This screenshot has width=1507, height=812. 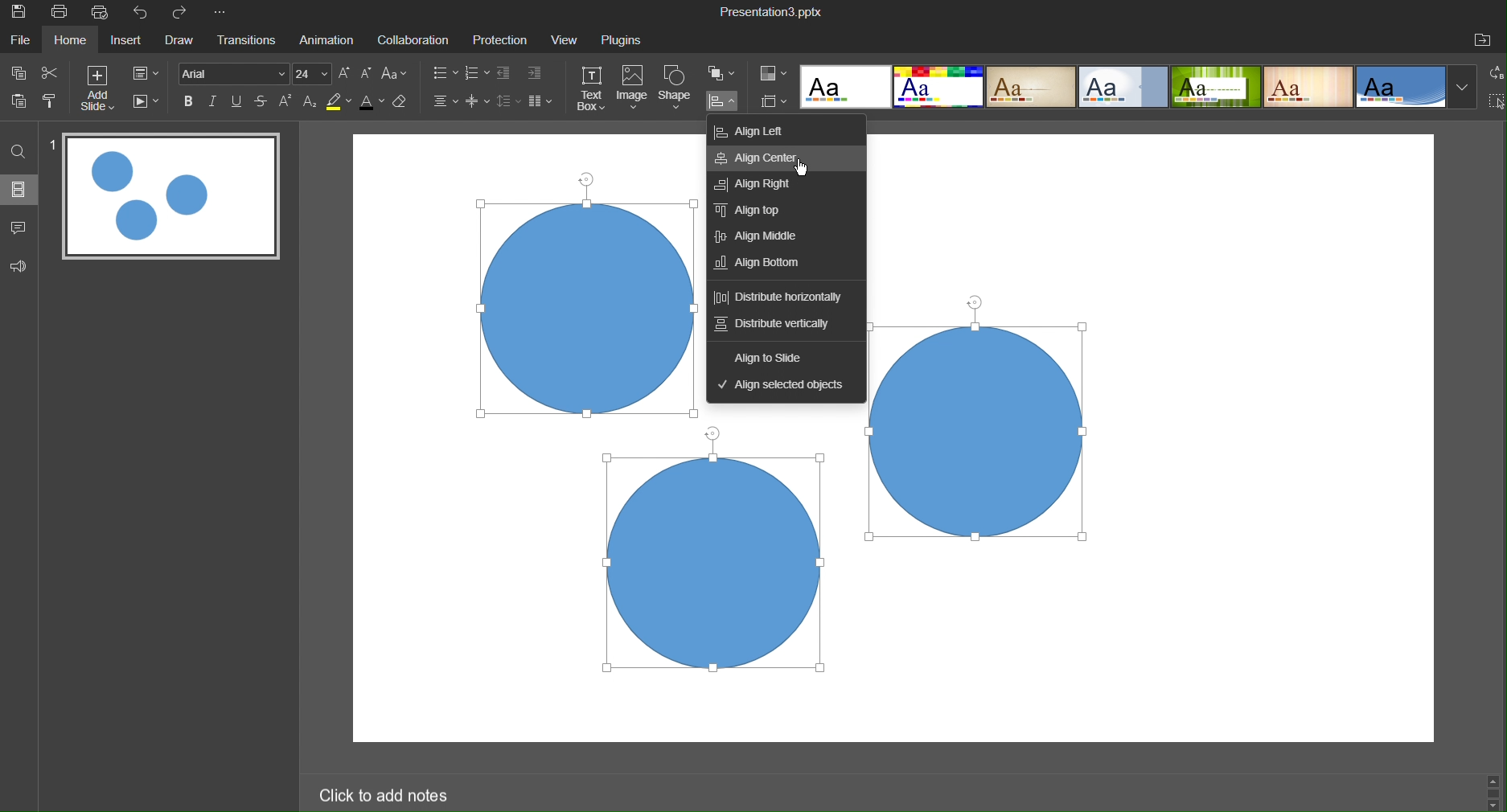 What do you see at coordinates (634, 89) in the screenshot?
I see `Image` at bounding box center [634, 89].